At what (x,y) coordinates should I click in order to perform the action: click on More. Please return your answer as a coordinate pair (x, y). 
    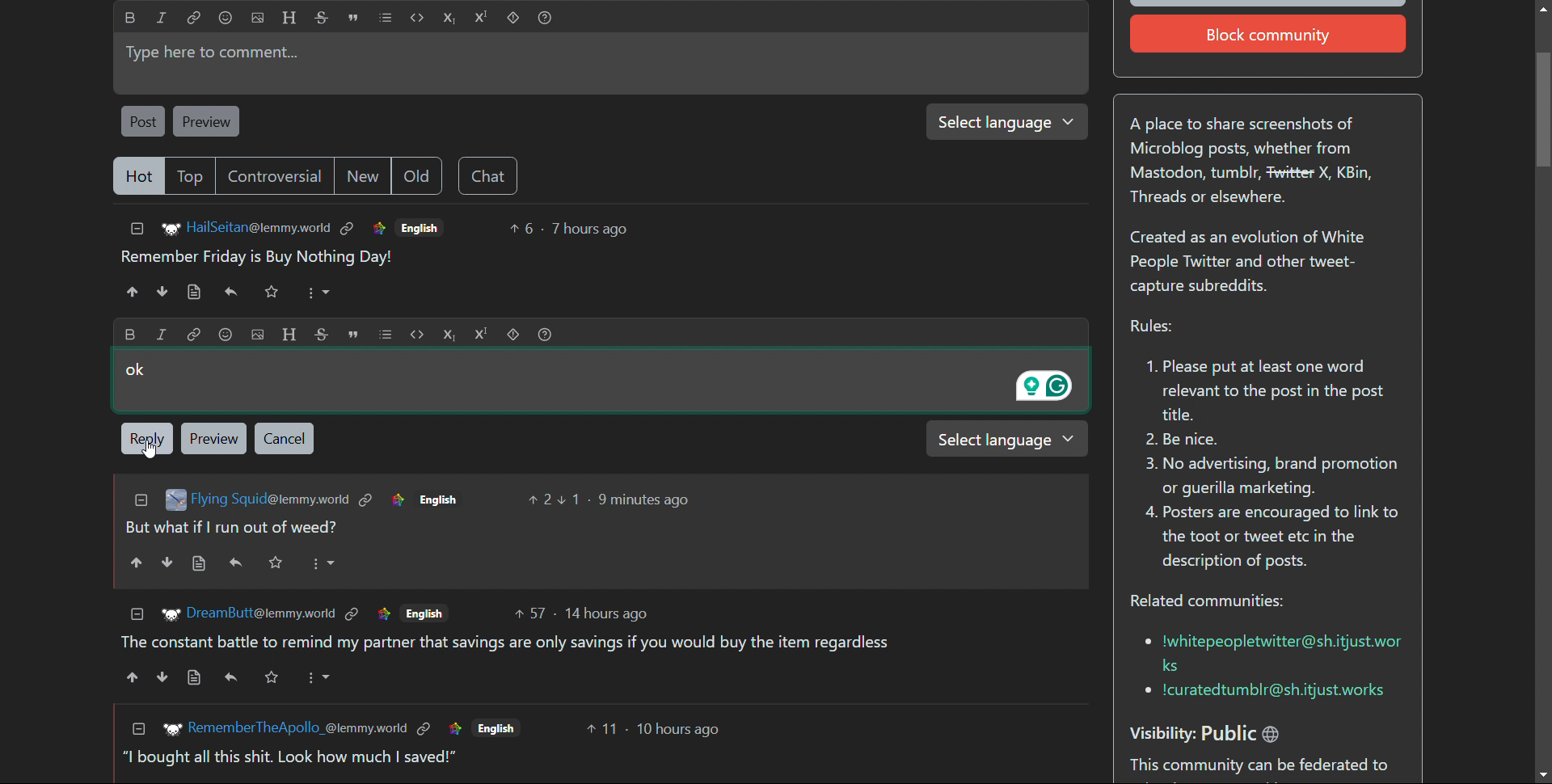
    Looking at the image, I should click on (317, 293).